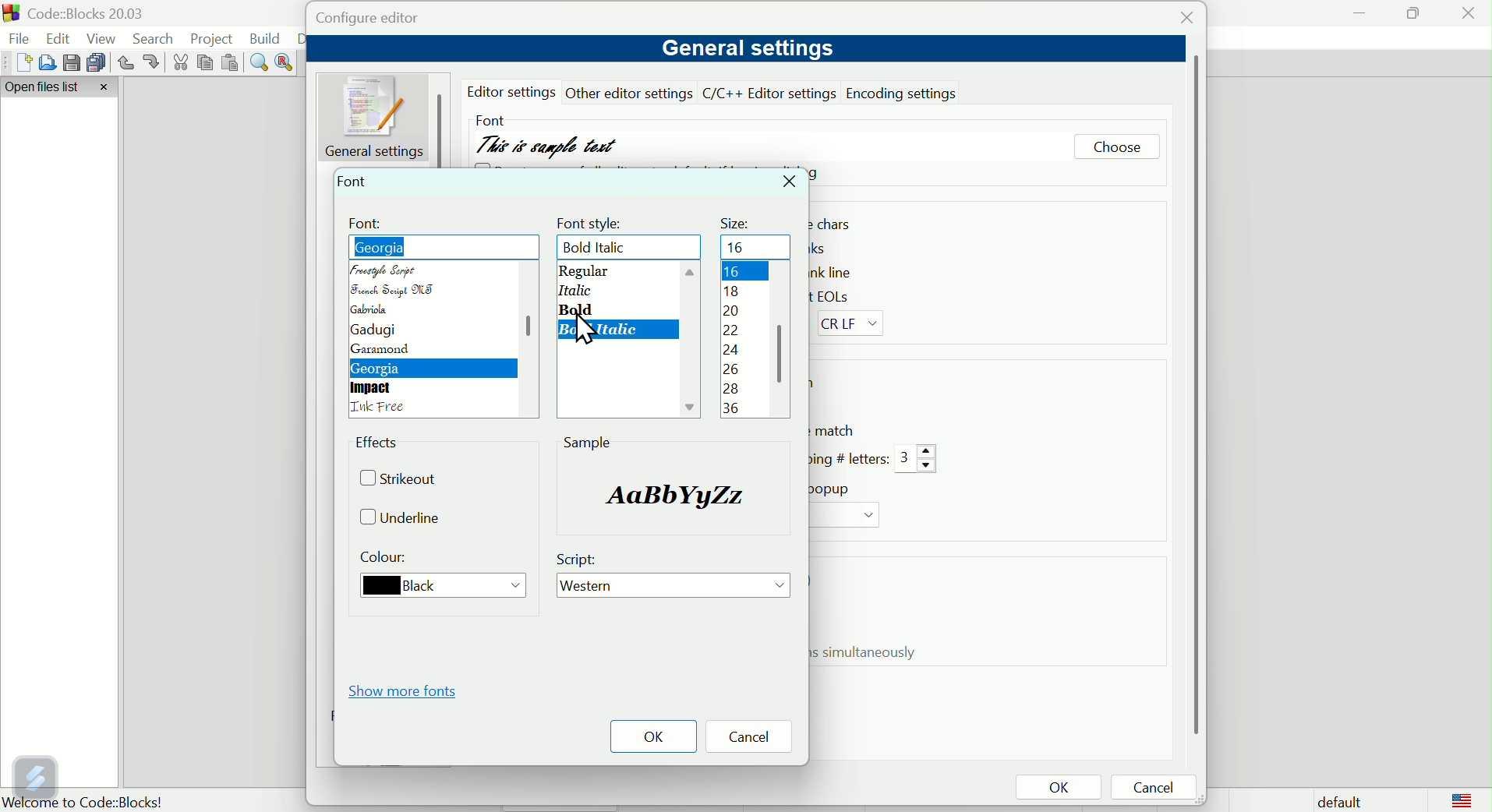 This screenshot has width=1492, height=812. Describe the element at coordinates (843, 517) in the screenshot. I see `Drop down` at that location.